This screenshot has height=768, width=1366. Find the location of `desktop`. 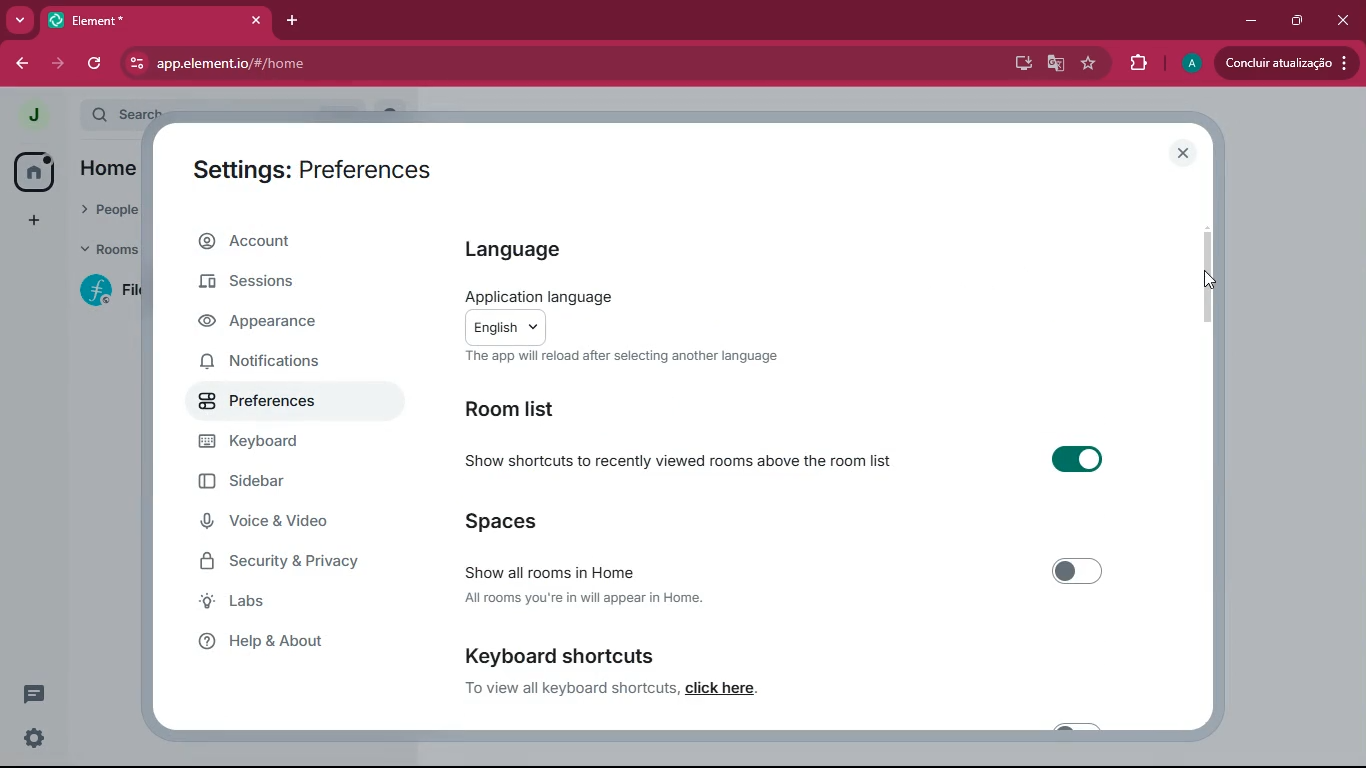

desktop is located at coordinates (1021, 64).